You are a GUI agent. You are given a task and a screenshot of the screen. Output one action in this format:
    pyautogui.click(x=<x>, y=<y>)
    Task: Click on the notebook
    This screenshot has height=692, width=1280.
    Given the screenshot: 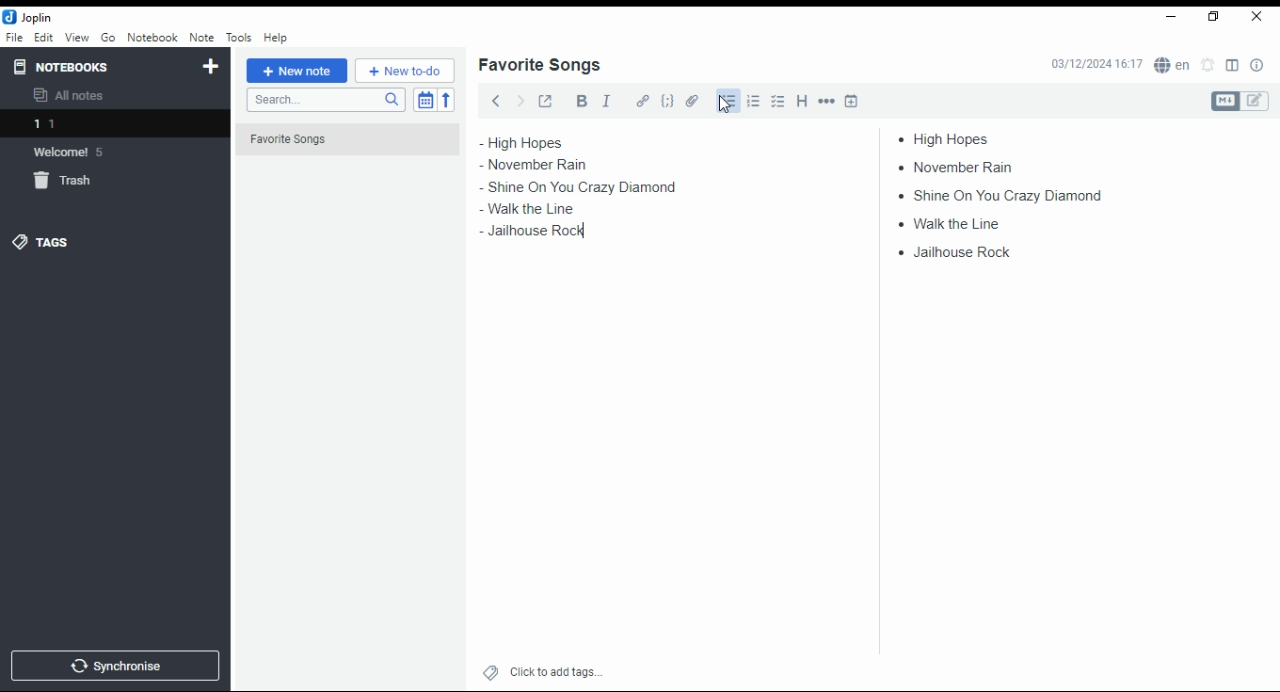 What is the action you would take?
    pyautogui.click(x=152, y=37)
    